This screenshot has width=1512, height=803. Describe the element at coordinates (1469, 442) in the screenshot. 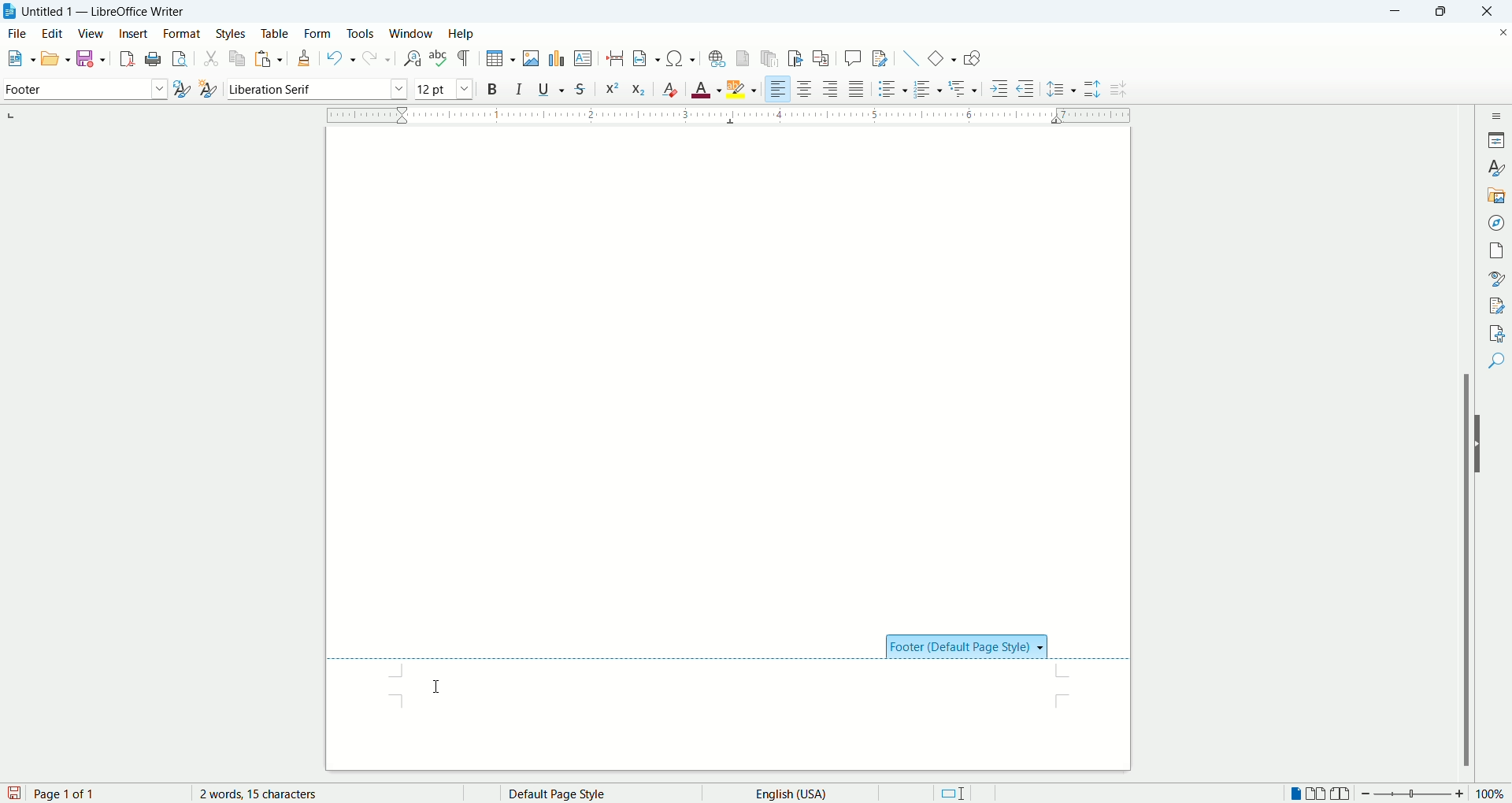

I see `scroll bar` at that location.